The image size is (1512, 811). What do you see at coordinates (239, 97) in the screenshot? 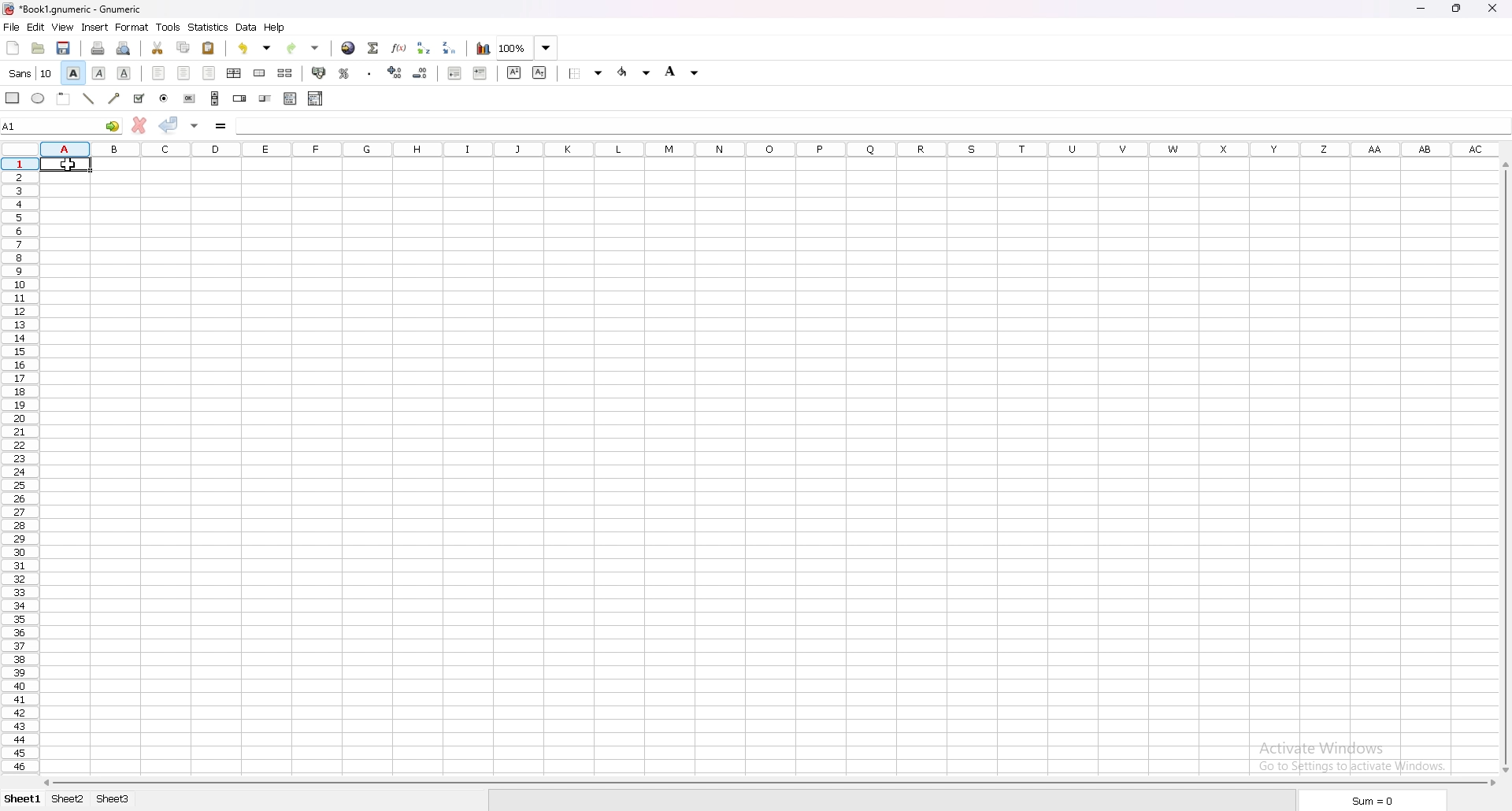
I see `spin button` at bounding box center [239, 97].